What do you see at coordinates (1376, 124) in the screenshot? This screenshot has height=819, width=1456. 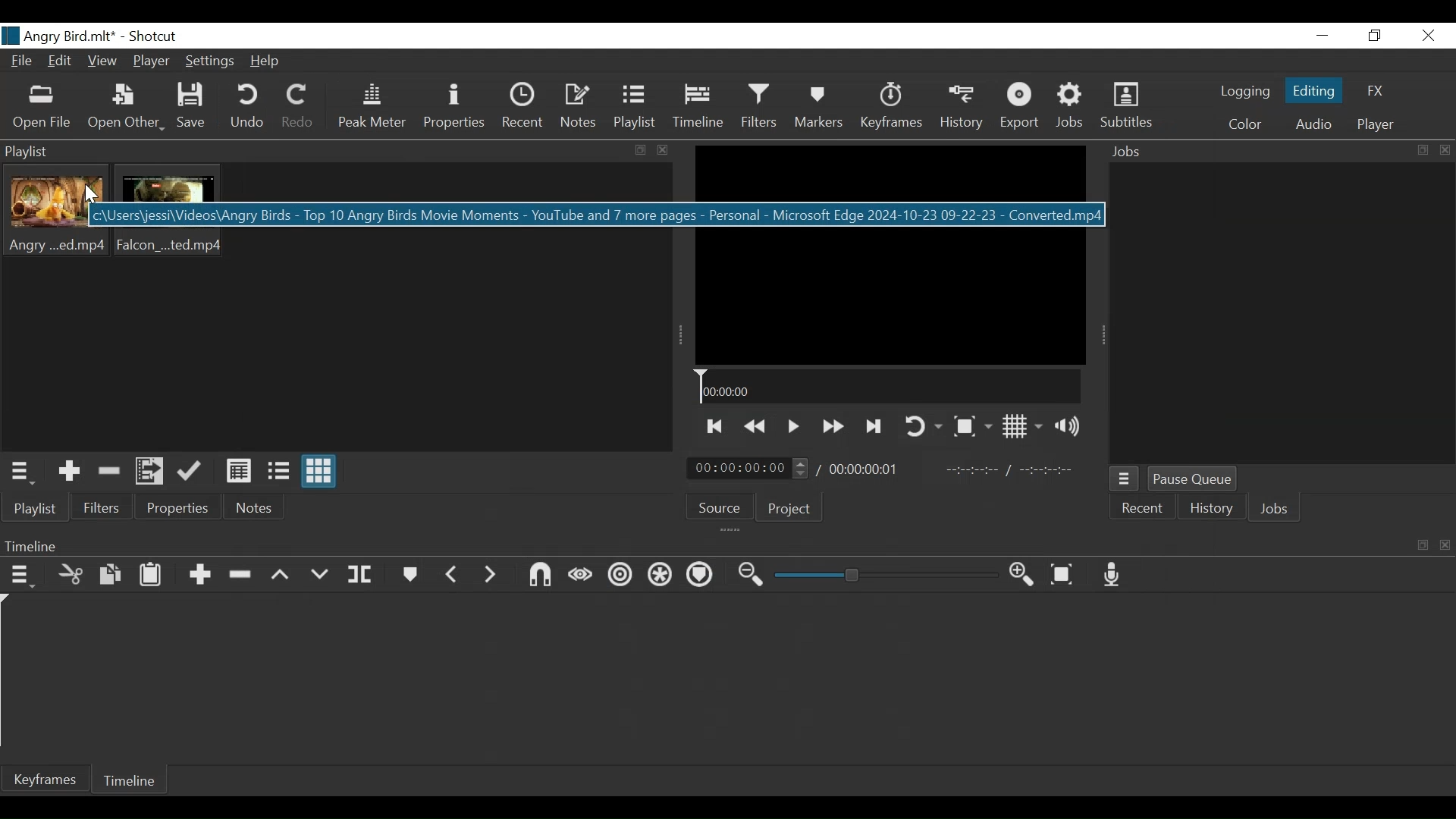 I see `Player` at bounding box center [1376, 124].